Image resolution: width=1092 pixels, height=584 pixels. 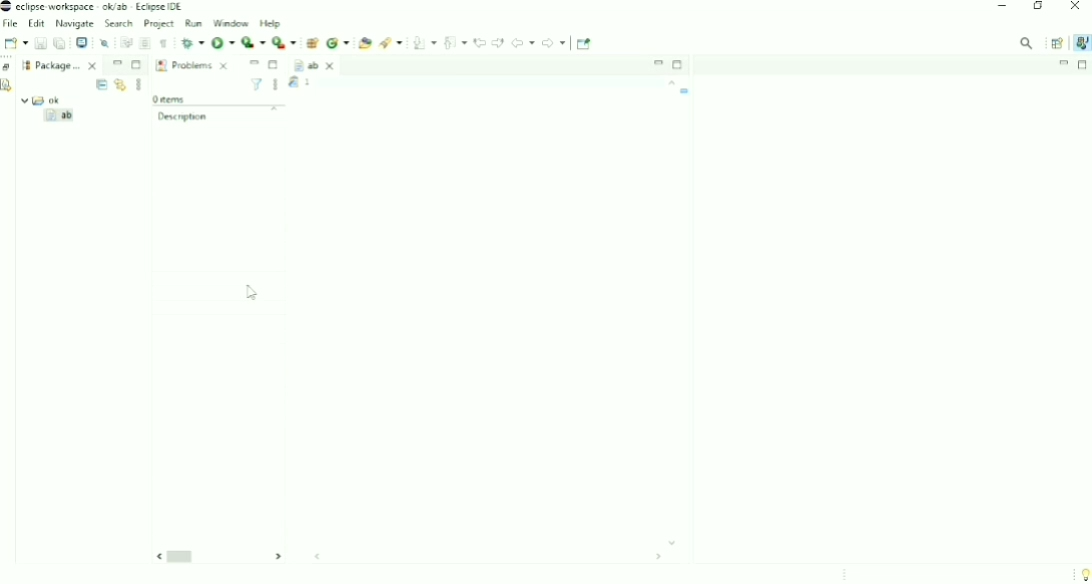 I want to click on Task, so click(x=332, y=83).